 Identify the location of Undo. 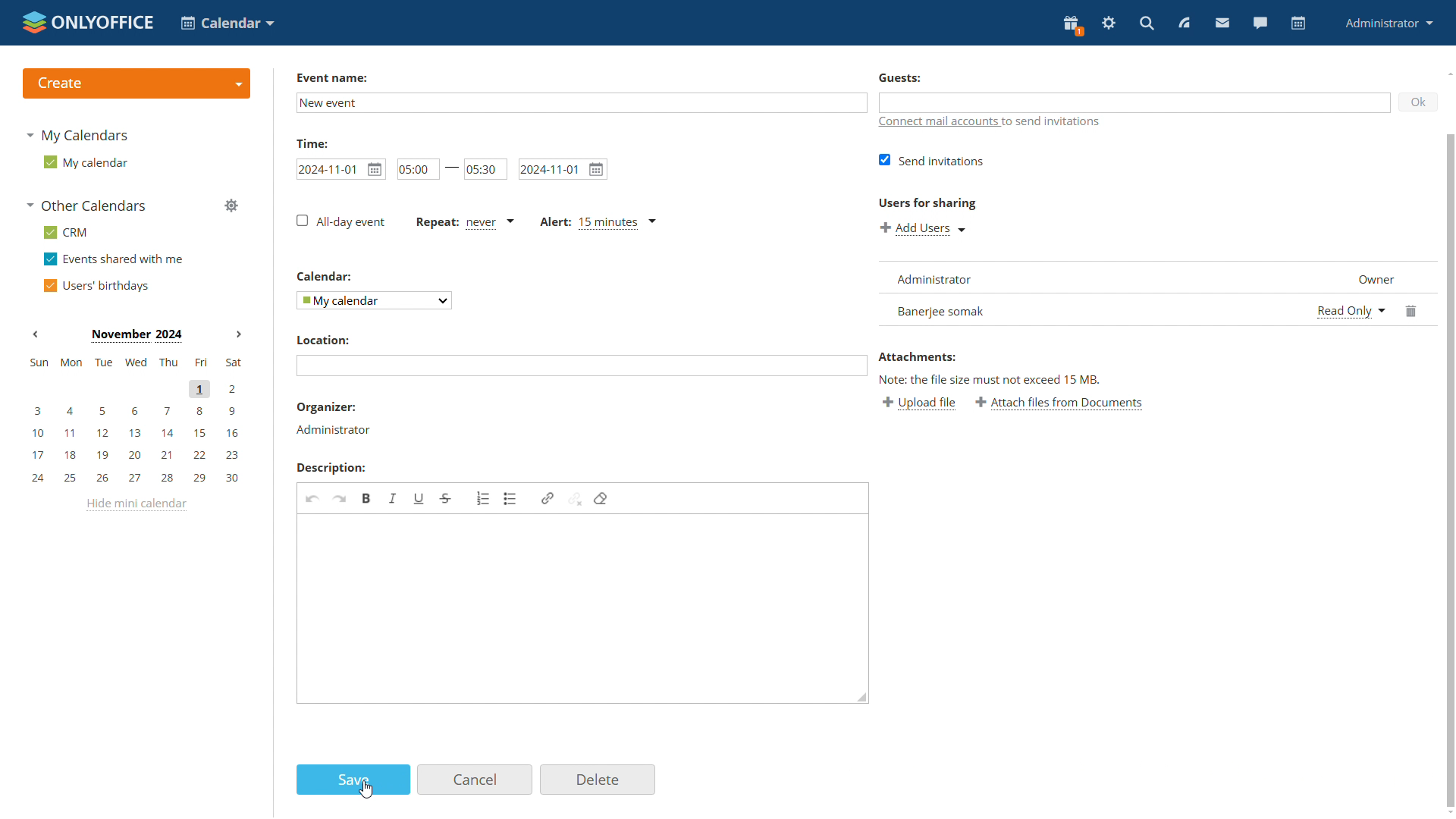
(312, 499).